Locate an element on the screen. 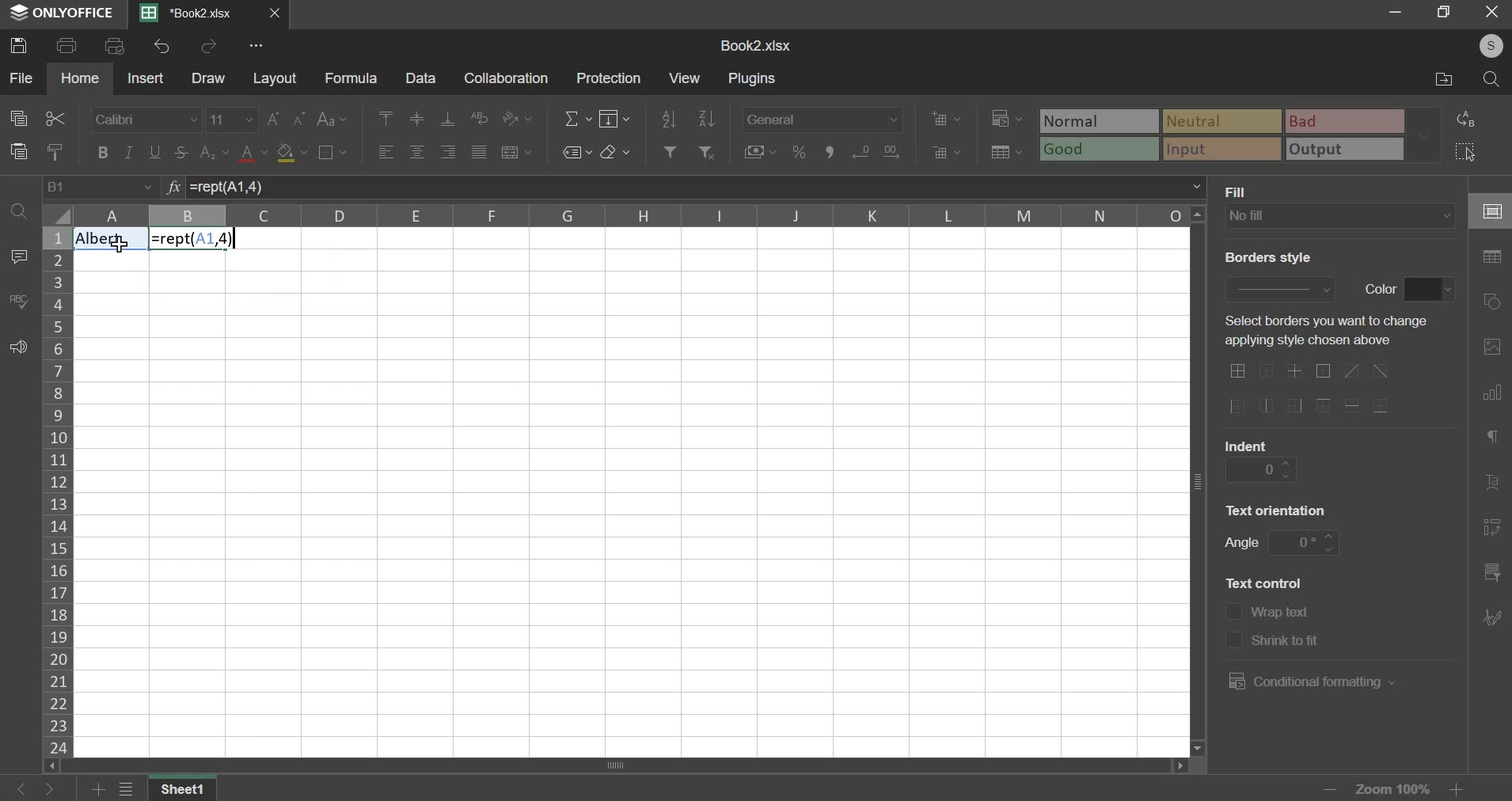 This screenshot has width=1512, height=801. text color is located at coordinates (253, 154).